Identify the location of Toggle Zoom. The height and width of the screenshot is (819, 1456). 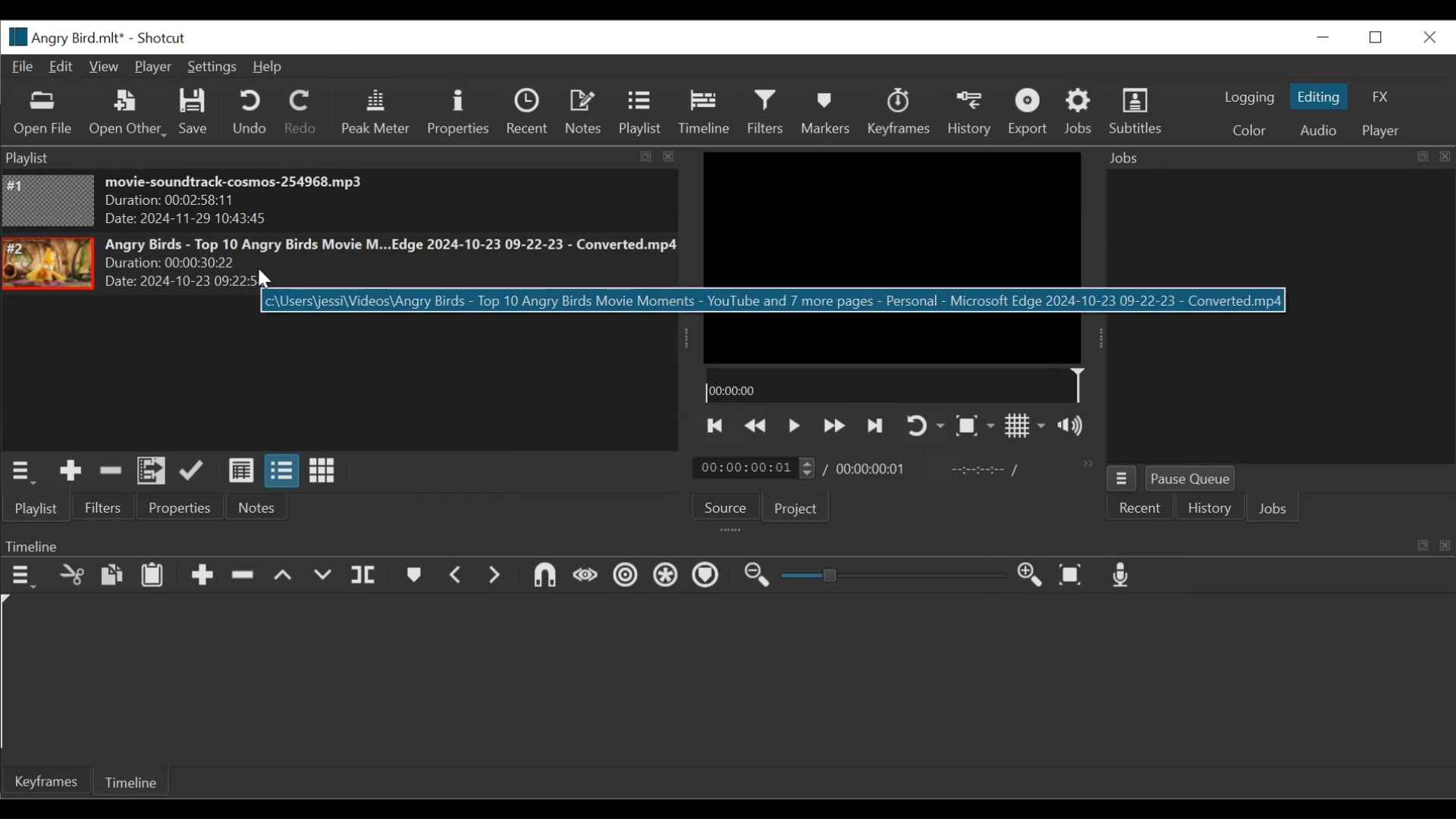
(977, 427).